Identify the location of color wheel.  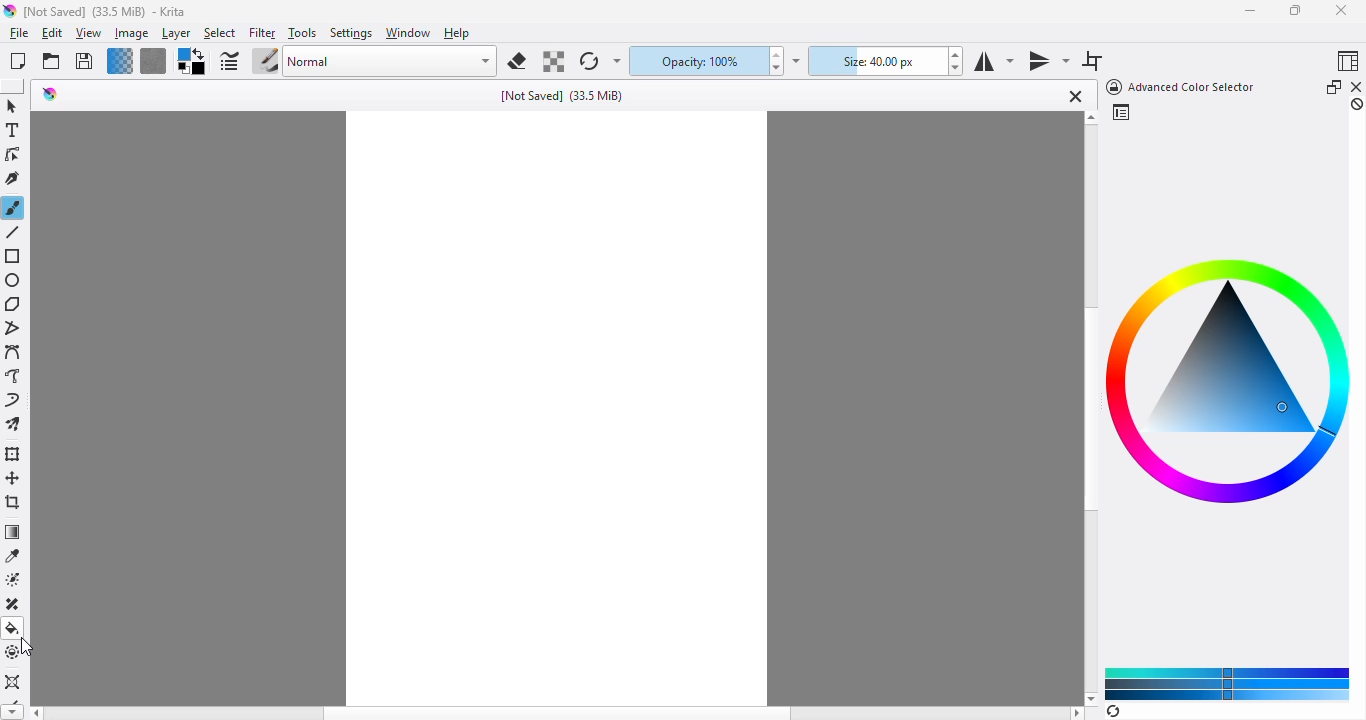
(1222, 379).